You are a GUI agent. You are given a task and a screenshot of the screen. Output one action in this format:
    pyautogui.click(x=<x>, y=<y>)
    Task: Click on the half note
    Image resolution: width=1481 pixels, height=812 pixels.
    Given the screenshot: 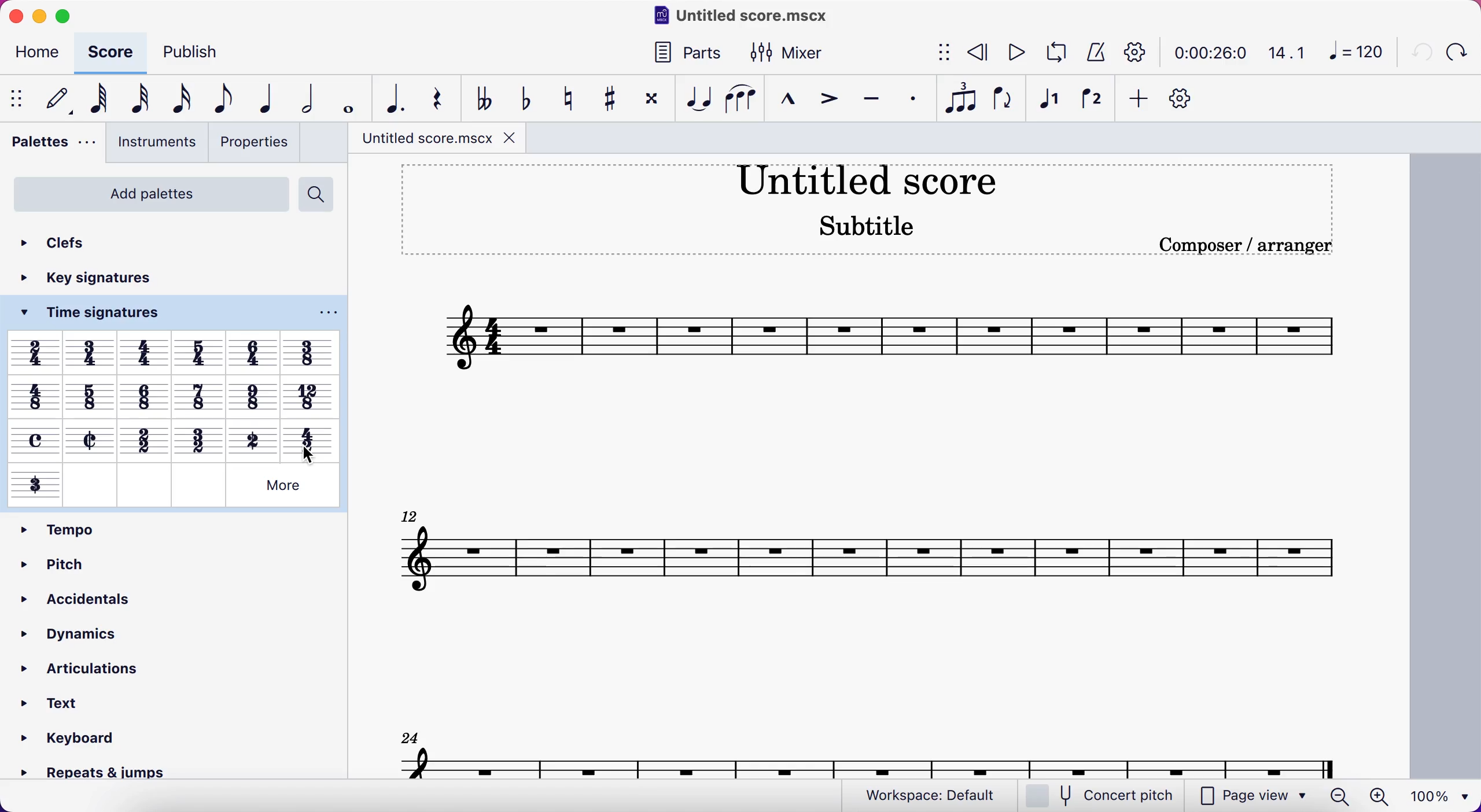 What is the action you would take?
    pyautogui.click(x=307, y=98)
    